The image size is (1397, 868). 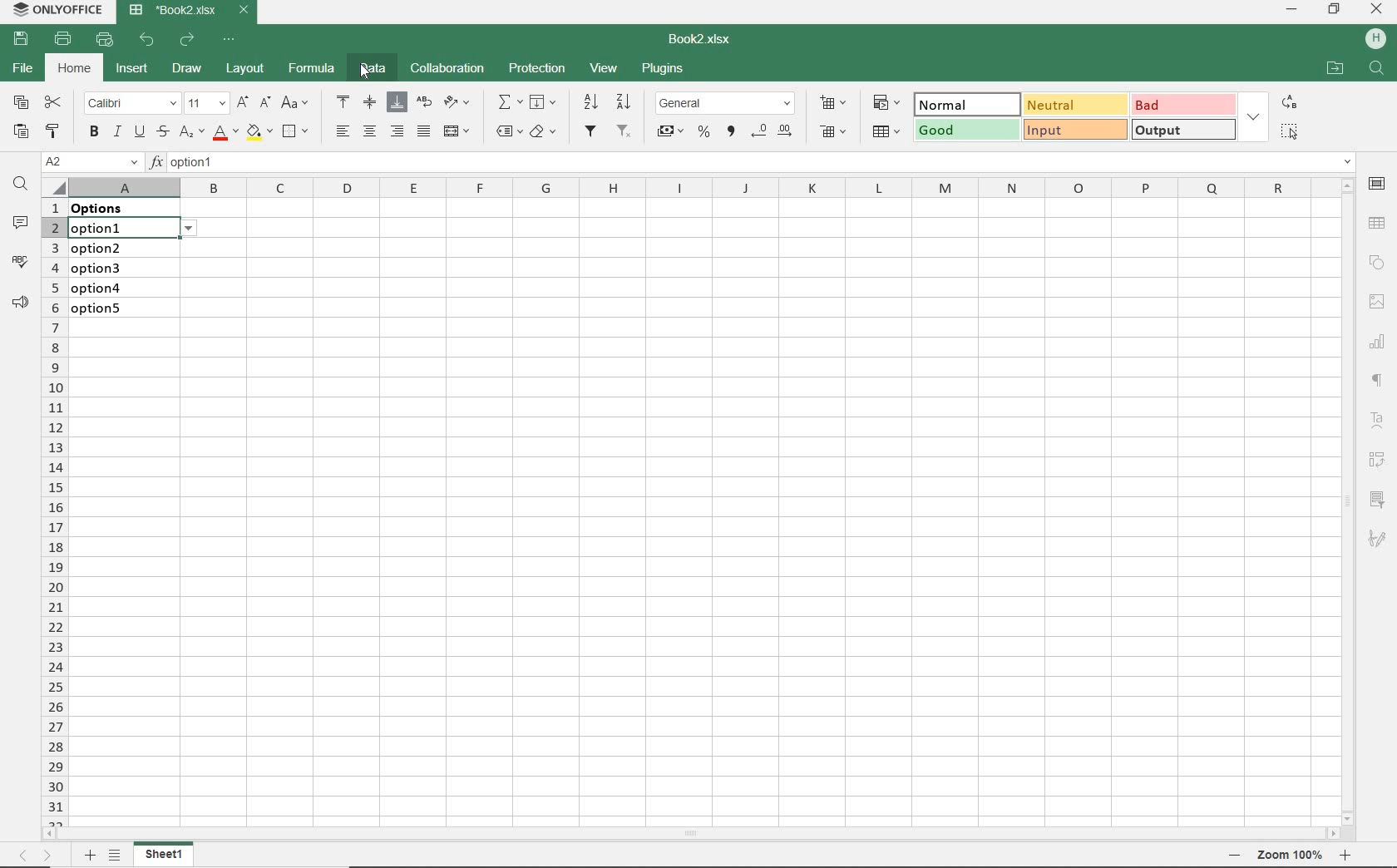 I want to click on DOCUMENT NAME, so click(x=190, y=10).